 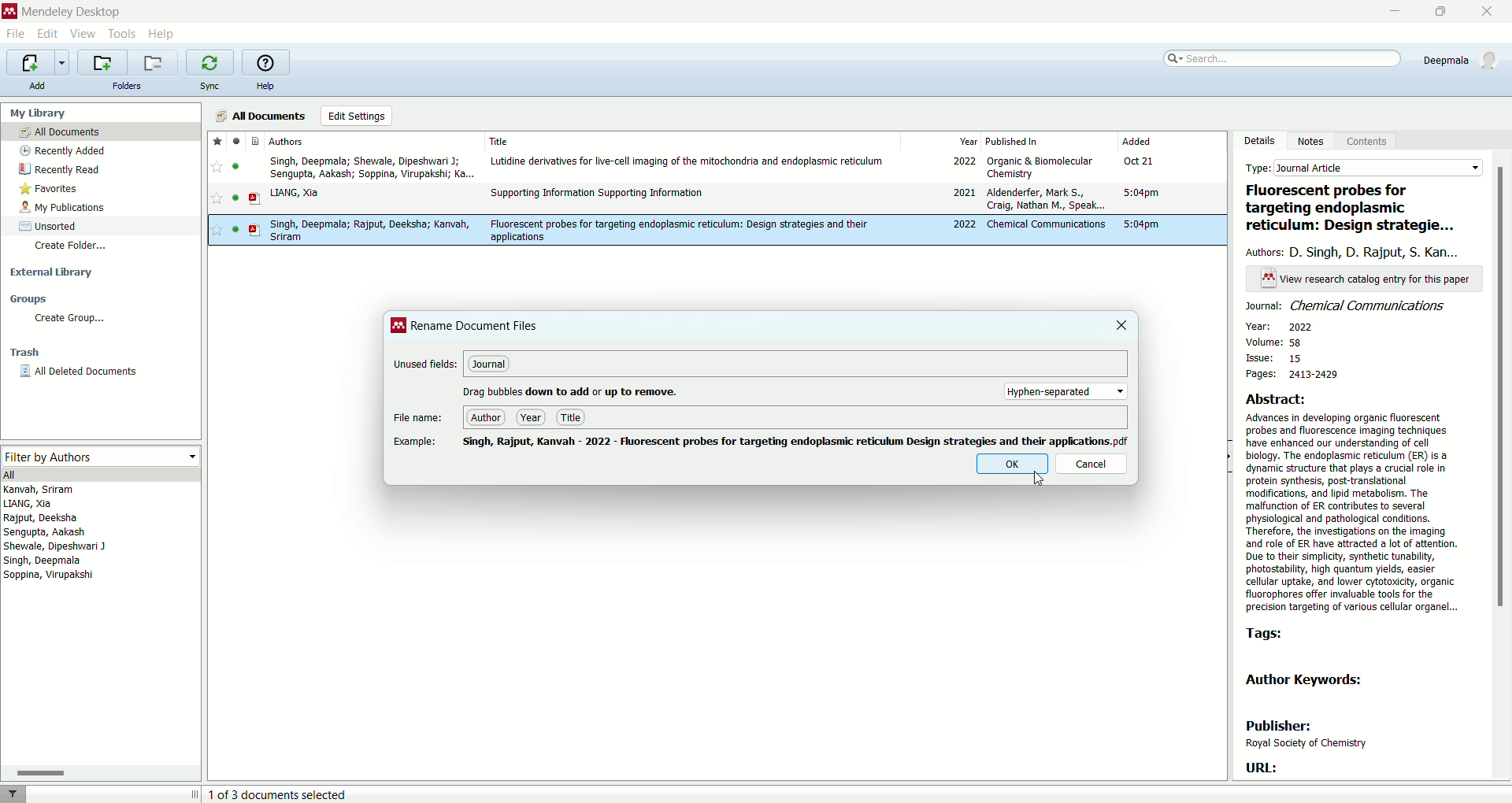 What do you see at coordinates (219, 231) in the screenshot?
I see `favorite` at bounding box center [219, 231].